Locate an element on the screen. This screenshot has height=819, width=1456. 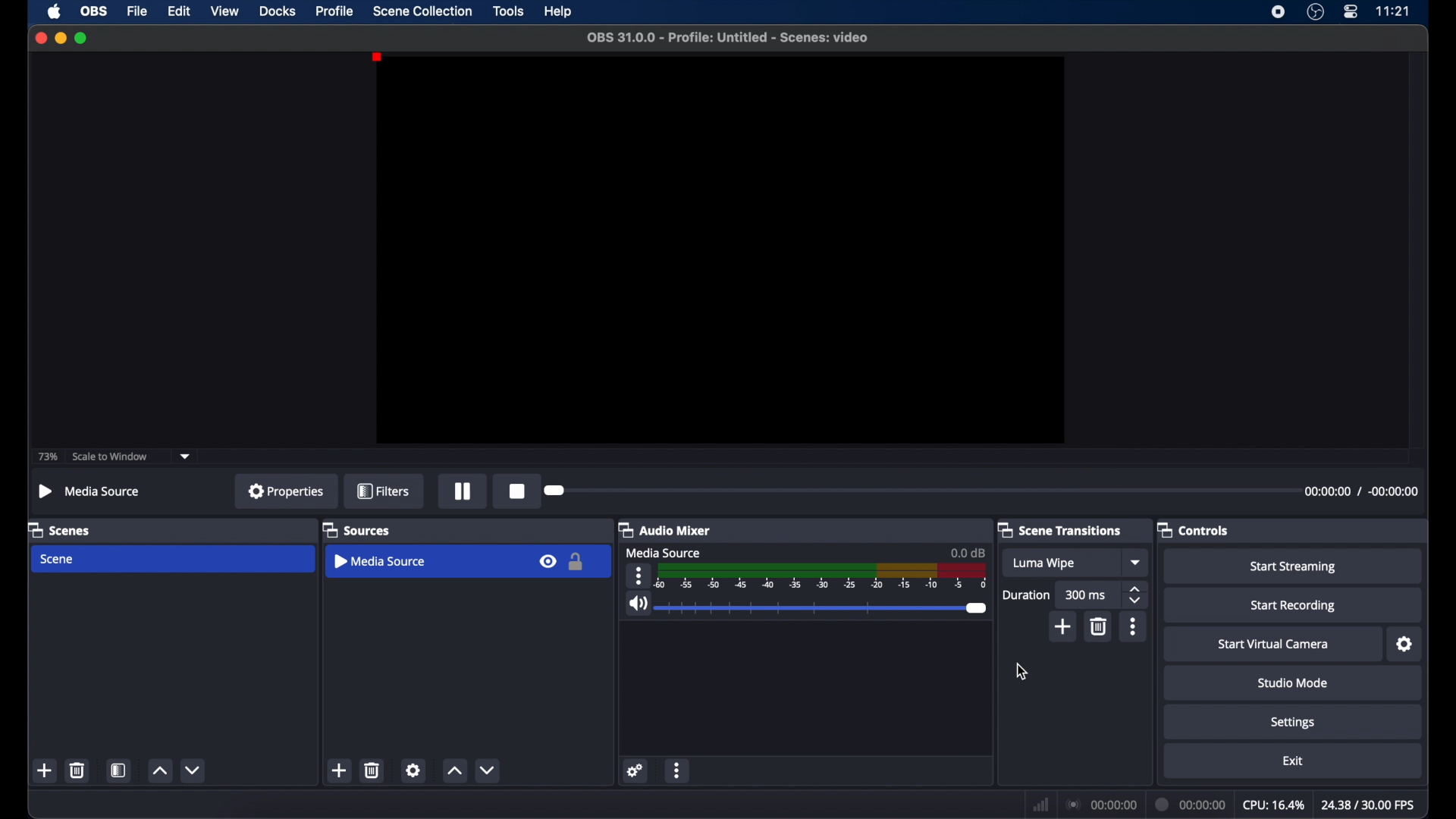
timestamp is located at coordinates (1360, 491).